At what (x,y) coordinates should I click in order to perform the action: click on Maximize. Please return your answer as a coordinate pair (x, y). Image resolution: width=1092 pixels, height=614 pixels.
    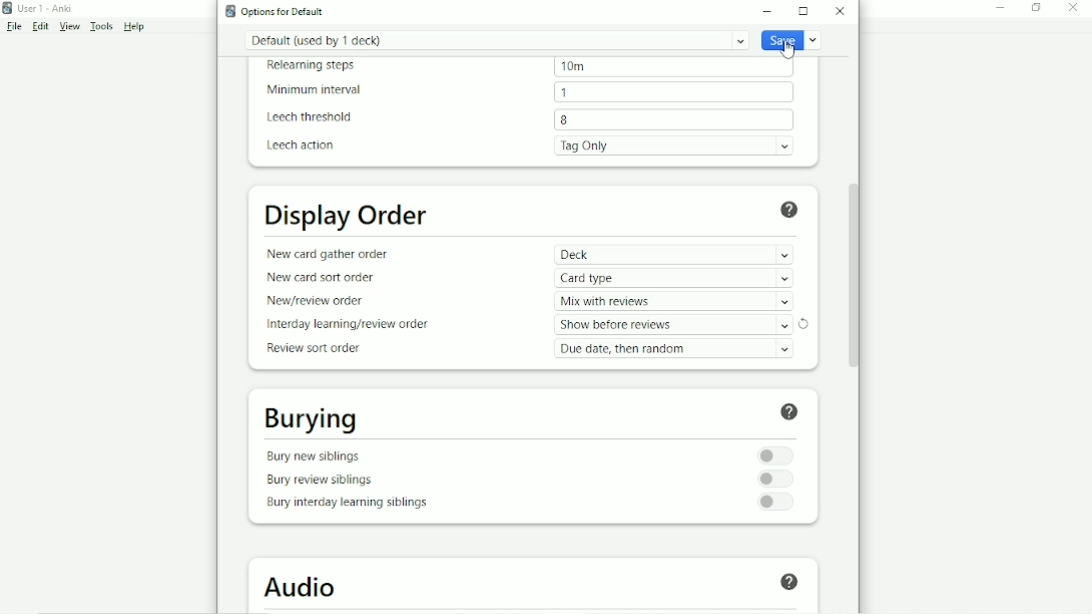
    Looking at the image, I should click on (803, 11).